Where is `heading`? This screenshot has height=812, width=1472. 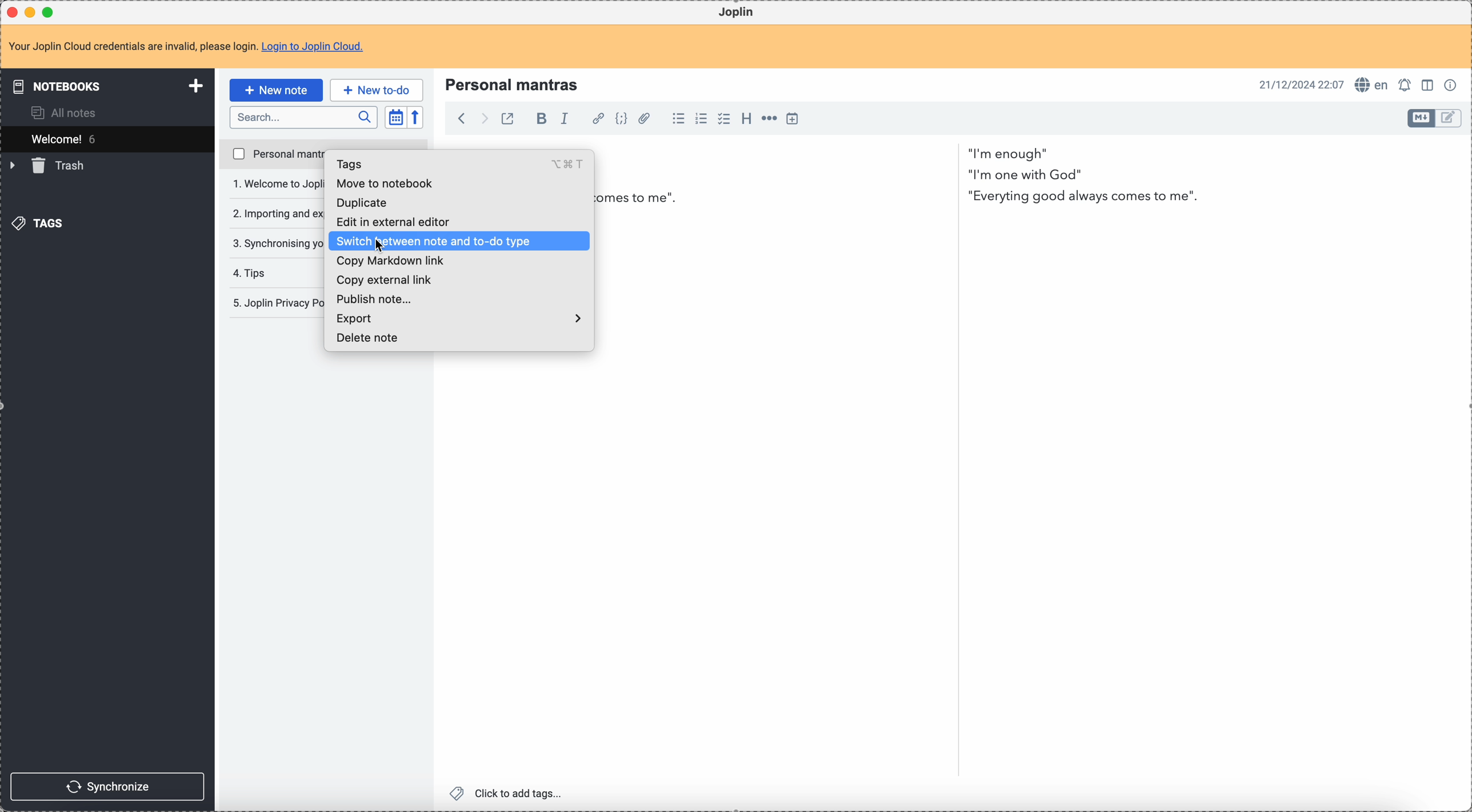
heading is located at coordinates (747, 118).